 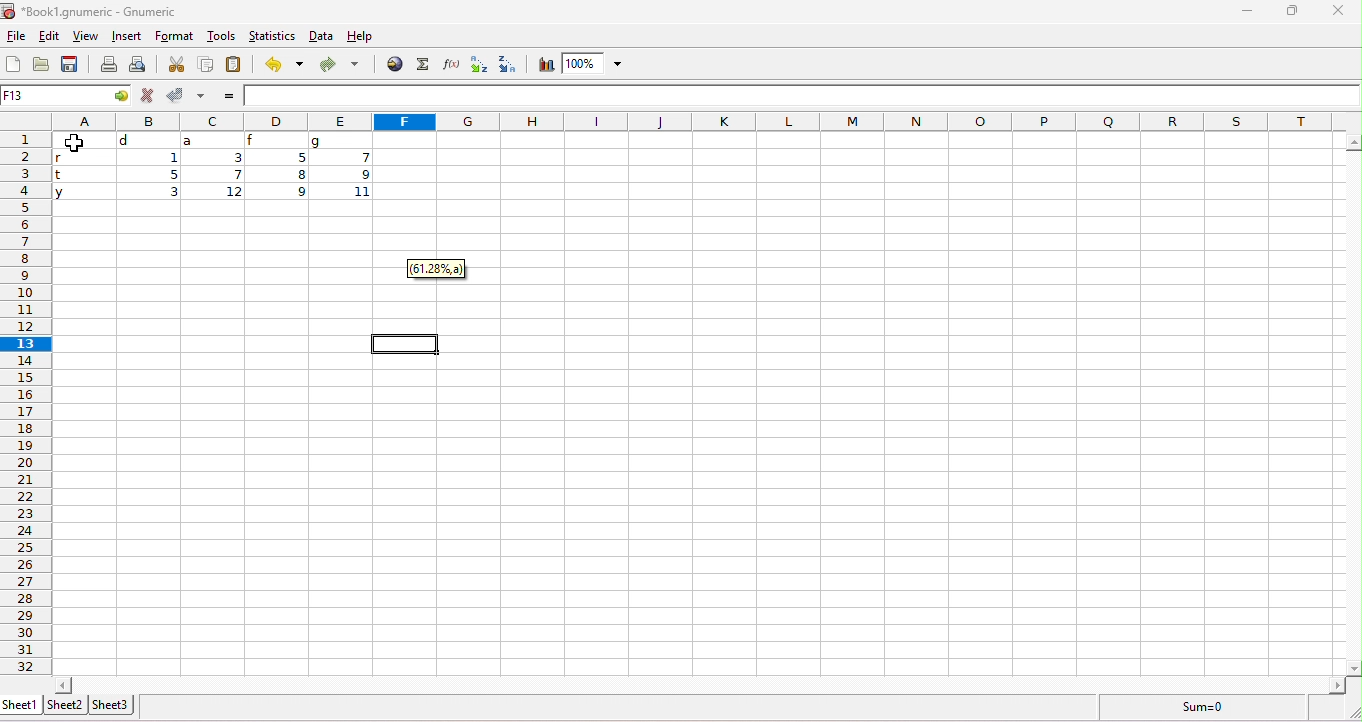 I want to click on selected cell number, so click(x=52, y=96).